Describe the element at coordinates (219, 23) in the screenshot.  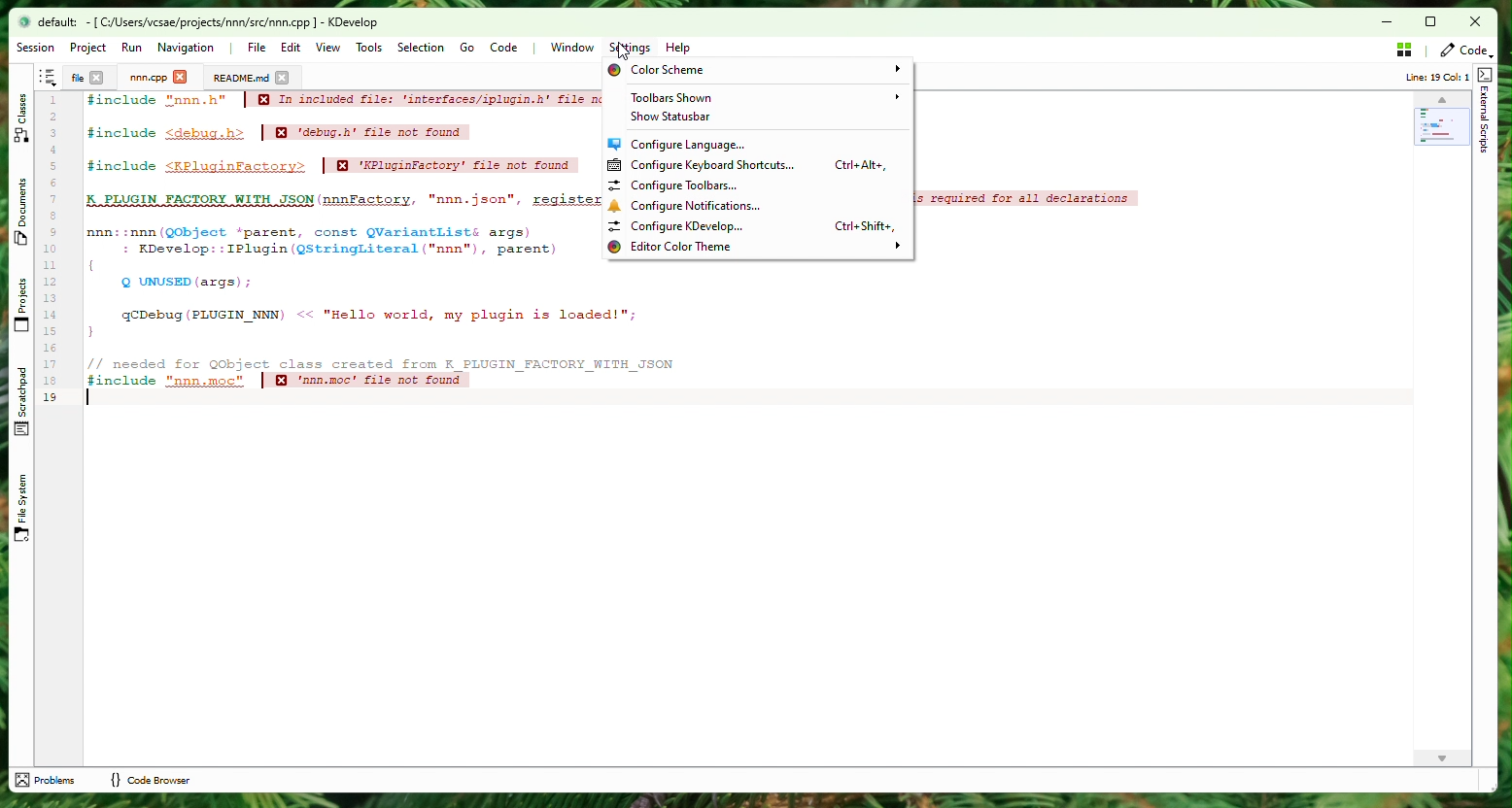
I see `file name and application name` at that location.